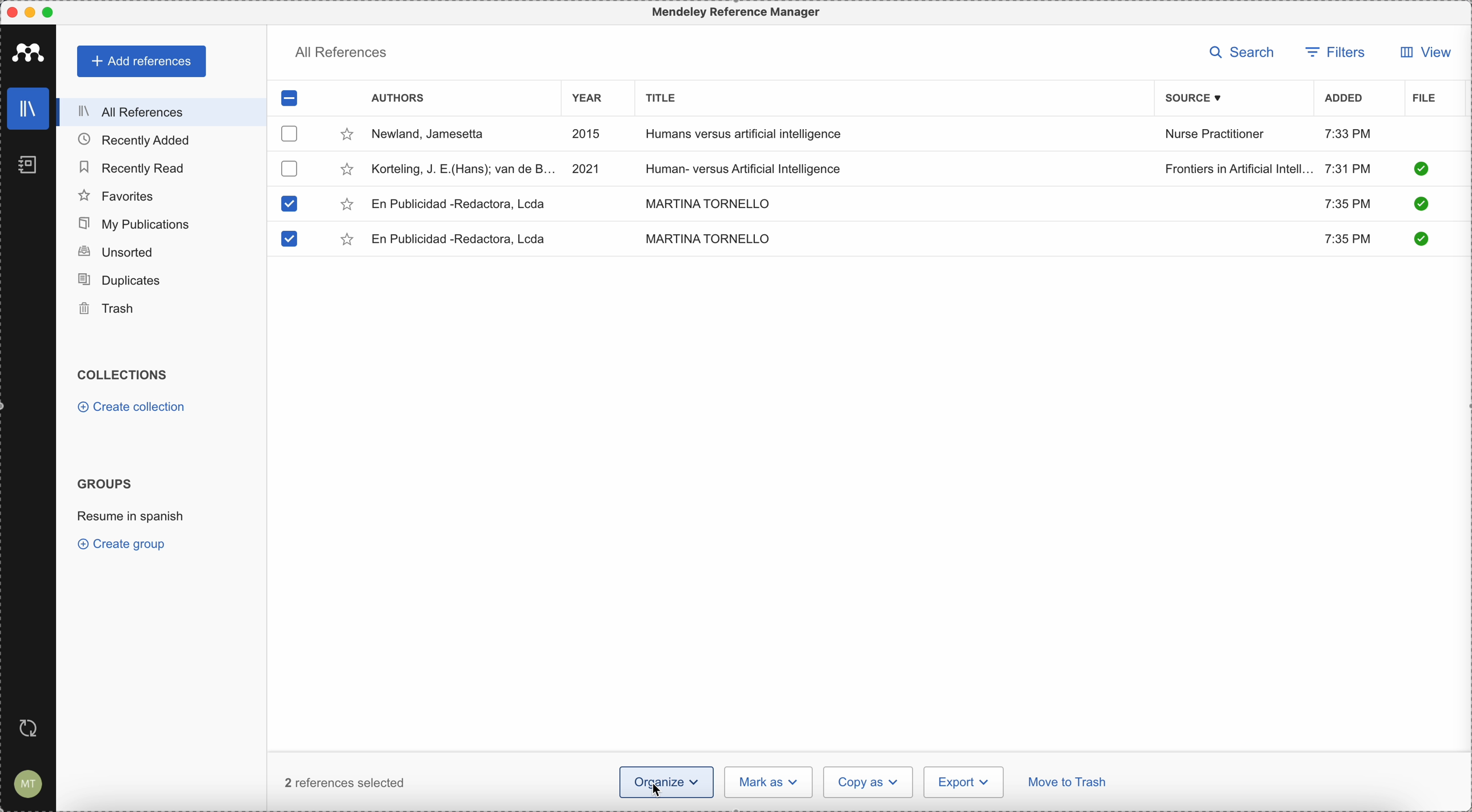  What do you see at coordinates (869, 782) in the screenshot?
I see `copy as` at bounding box center [869, 782].